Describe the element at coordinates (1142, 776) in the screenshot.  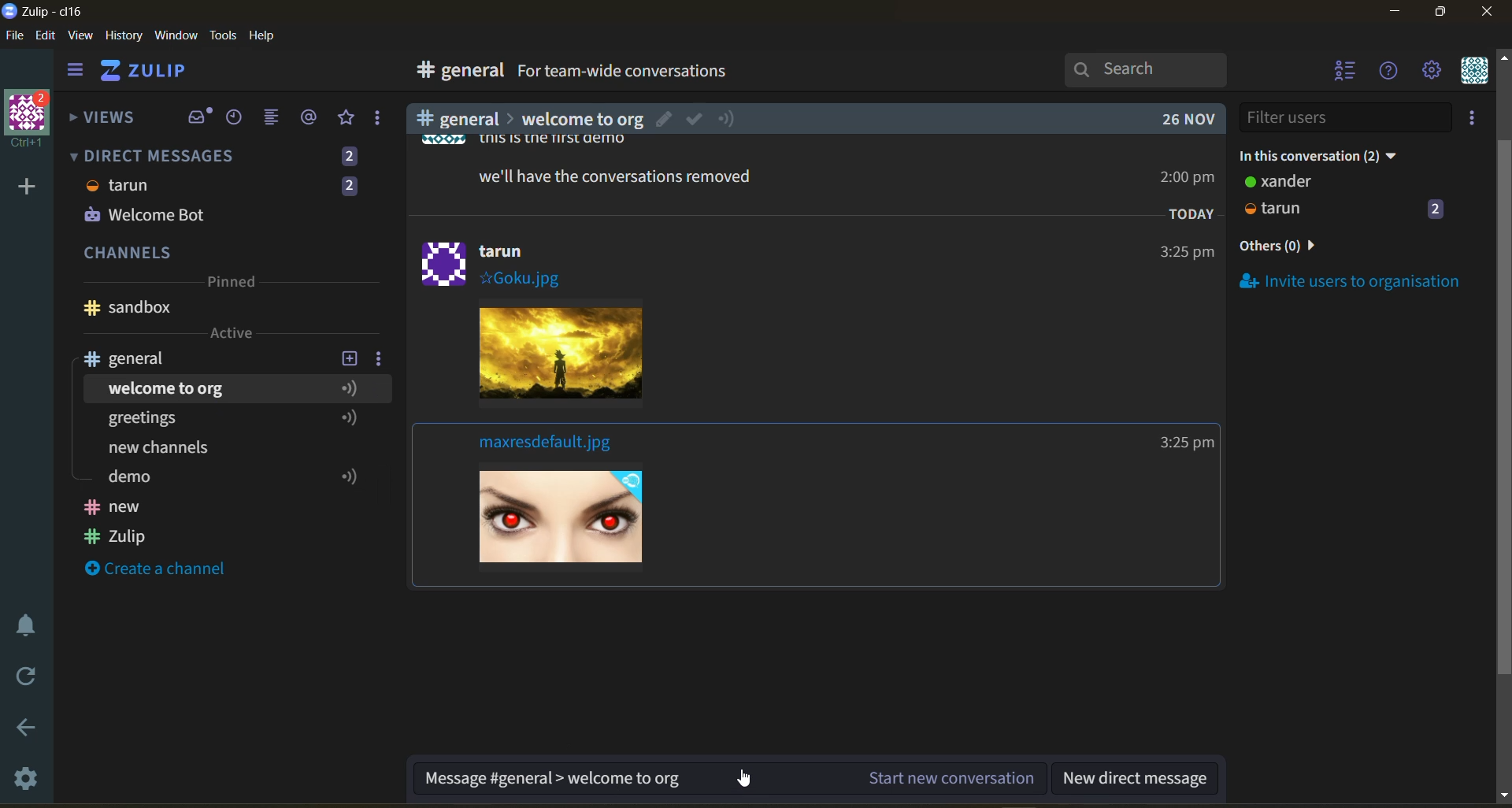
I see `new direct message` at that location.